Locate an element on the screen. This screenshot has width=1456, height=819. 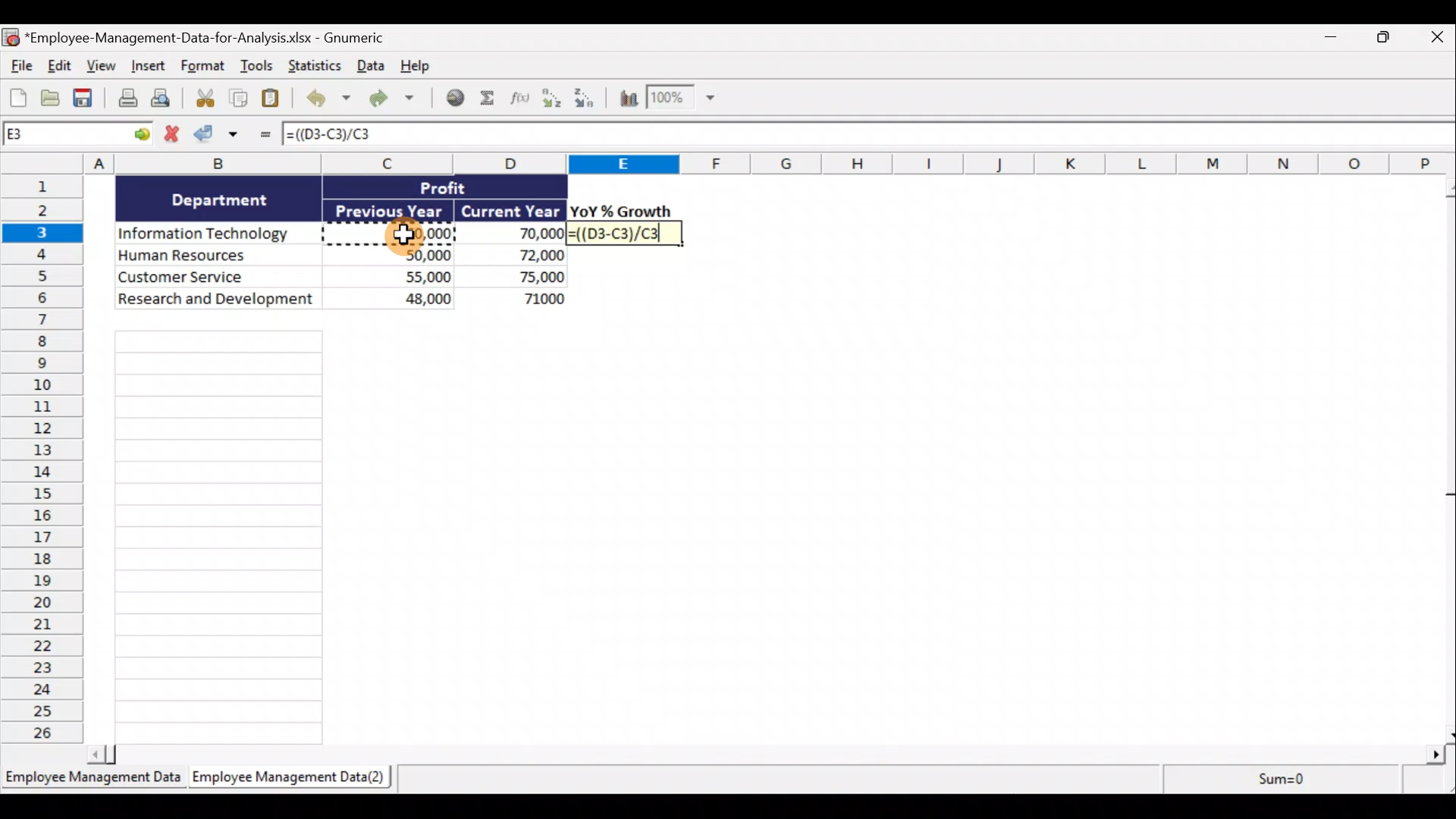
Cell allocation is located at coordinates (79, 136).